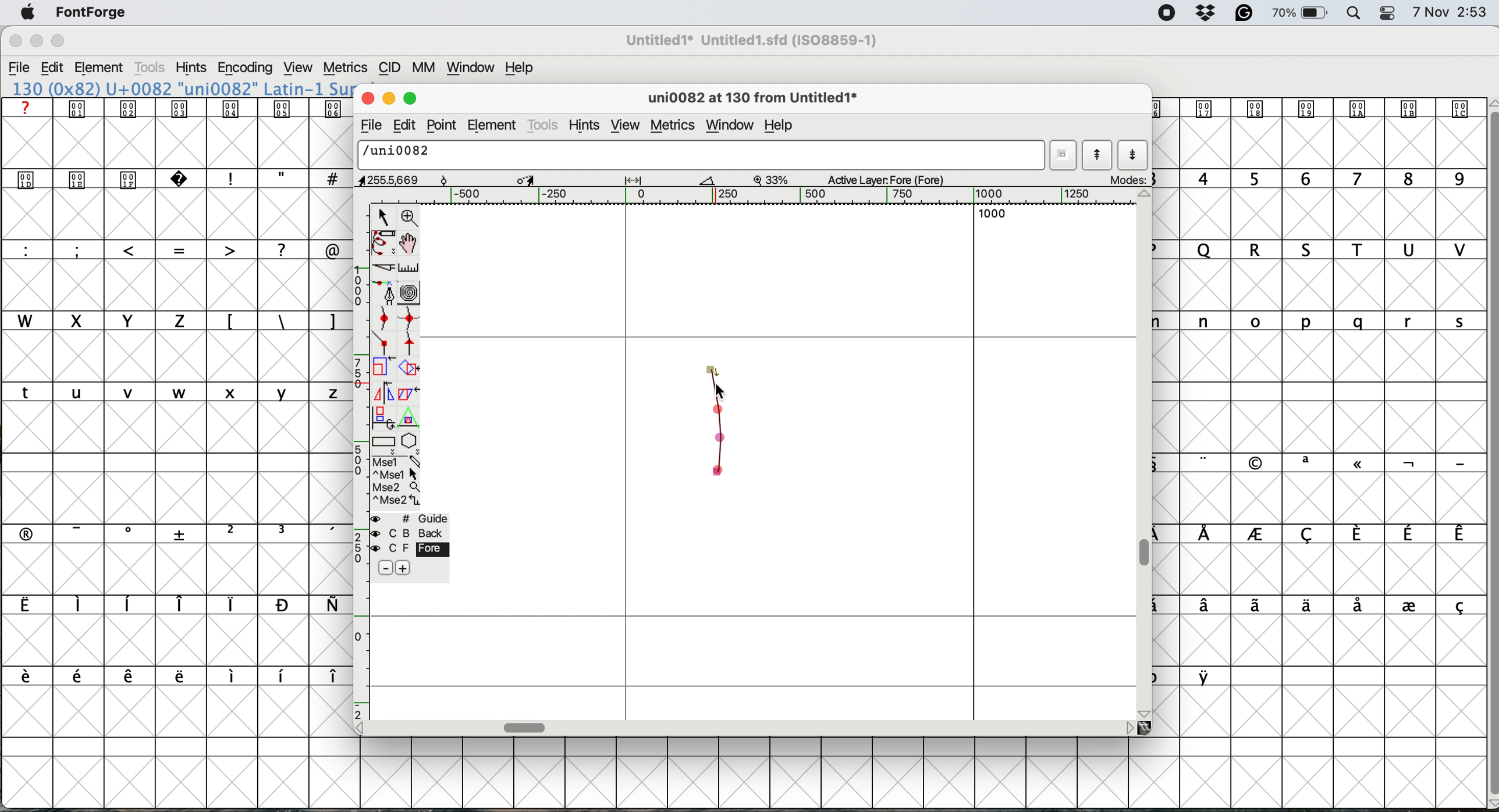 The width and height of the screenshot is (1499, 812). I want to click on horizontal scale, so click(526, 725).